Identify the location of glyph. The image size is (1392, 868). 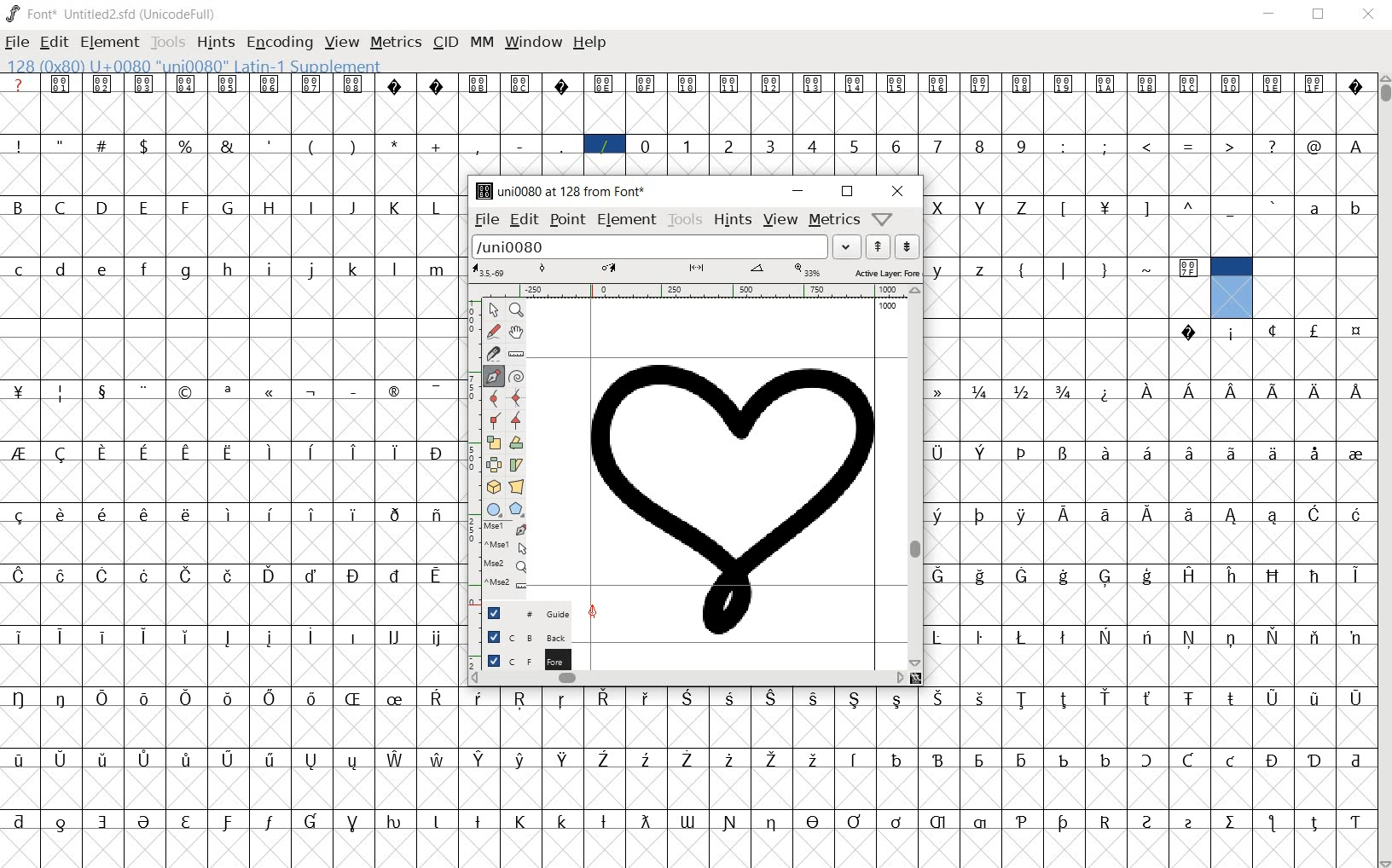
(1314, 209).